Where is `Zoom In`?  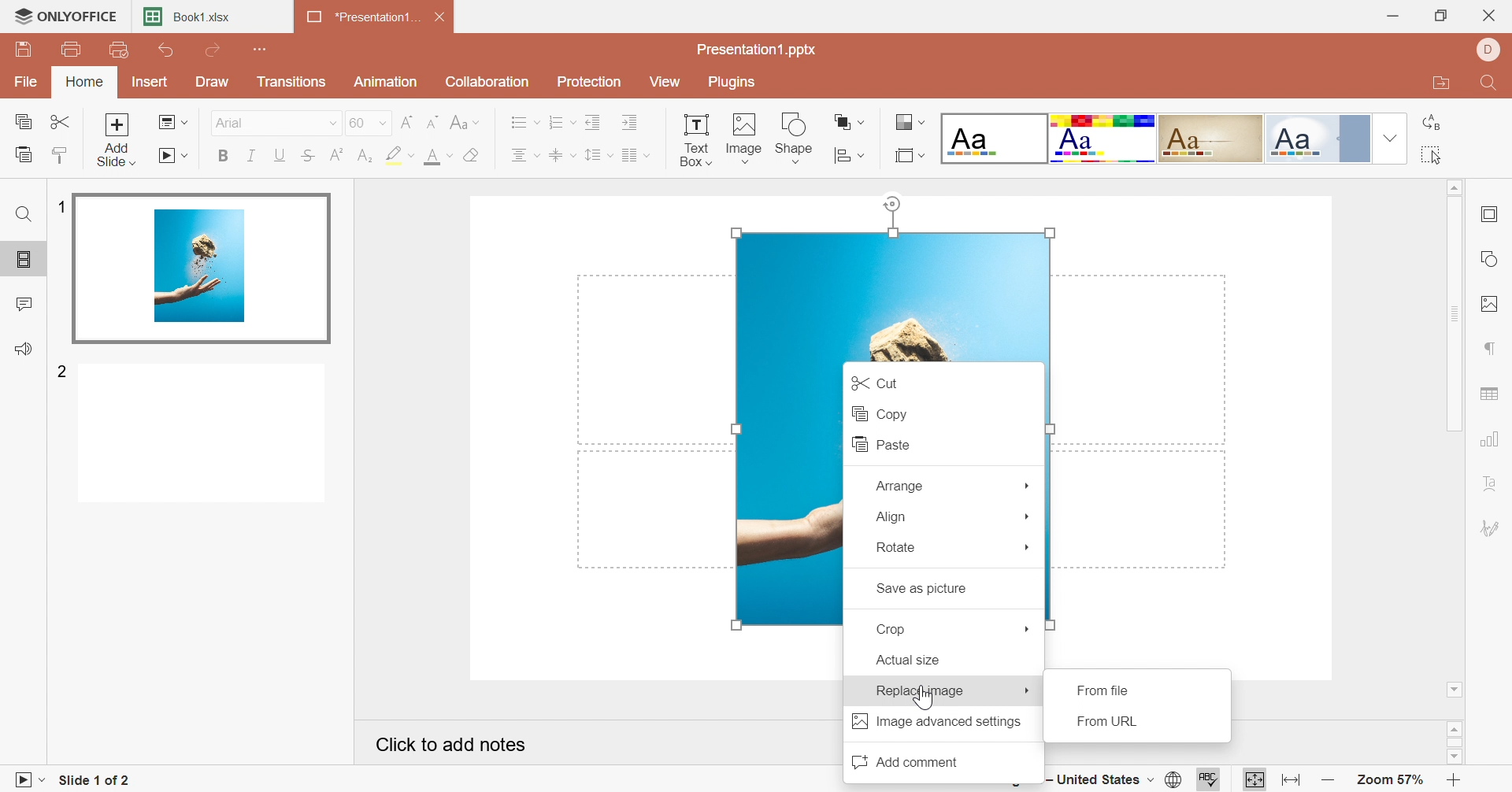
Zoom In is located at coordinates (1455, 779).